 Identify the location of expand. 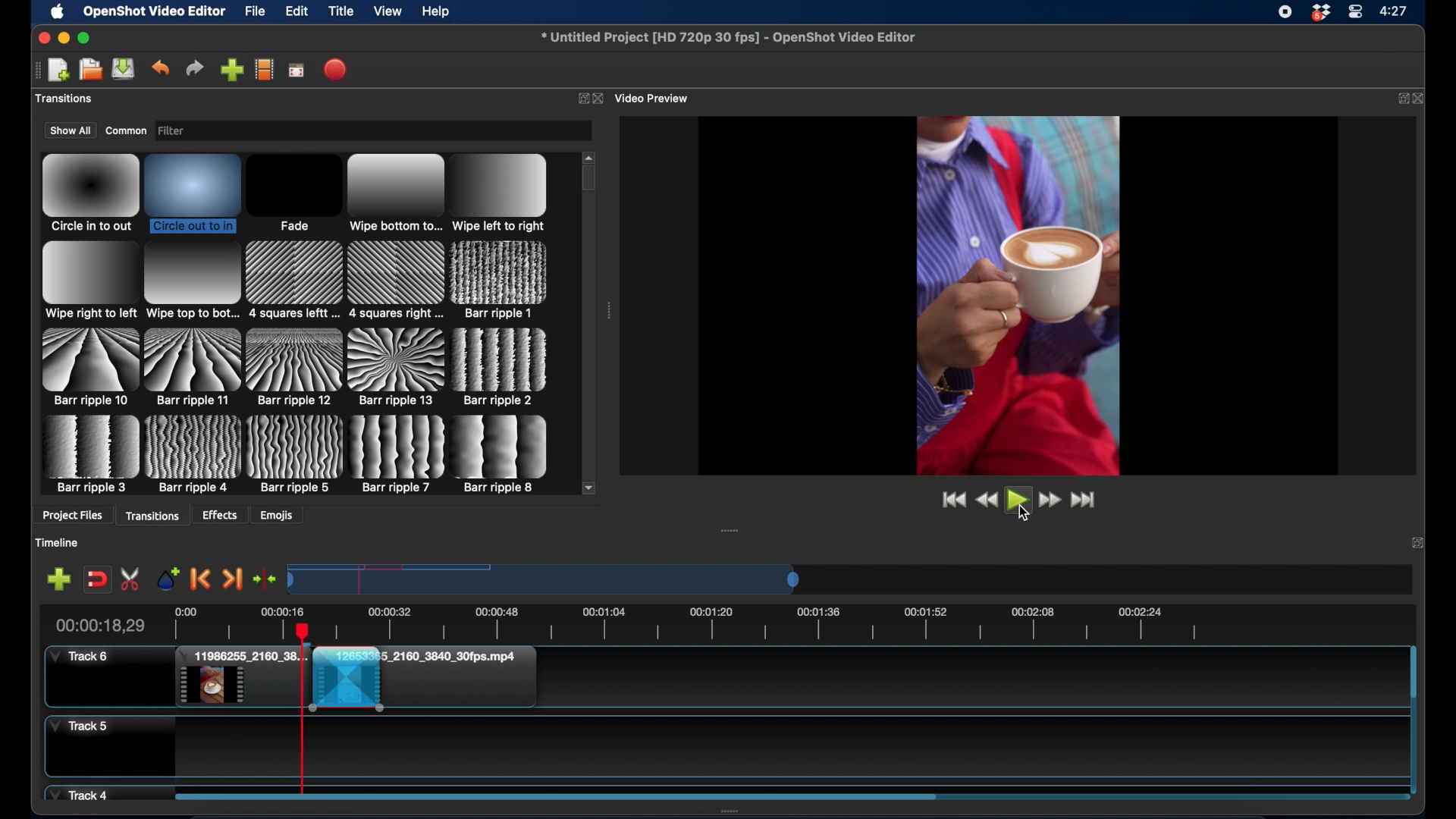
(1418, 544).